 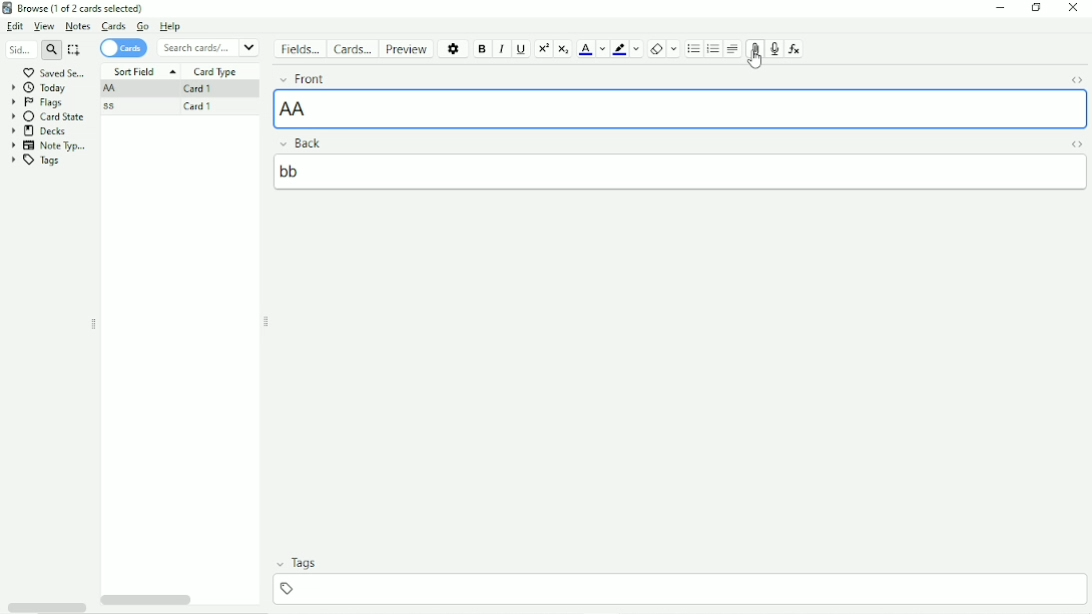 What do you see at coordinates (755, 64) in the screenshot?
I see `Cursor` at bounding box center [755, 64].